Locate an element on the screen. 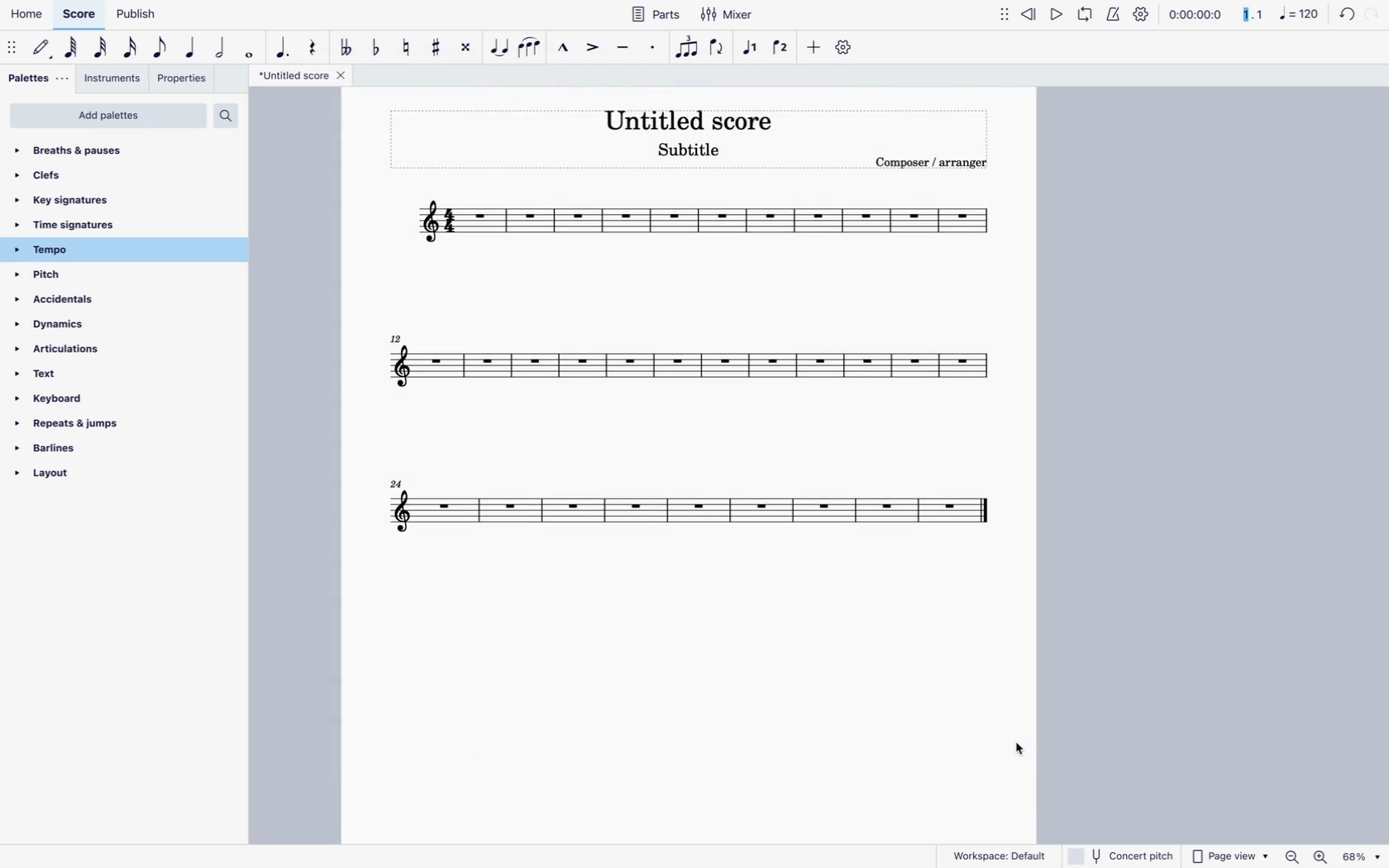 Image resolution: width=1389 pixels, height=868 pixels. Setting is located at coordinates (847, 45).